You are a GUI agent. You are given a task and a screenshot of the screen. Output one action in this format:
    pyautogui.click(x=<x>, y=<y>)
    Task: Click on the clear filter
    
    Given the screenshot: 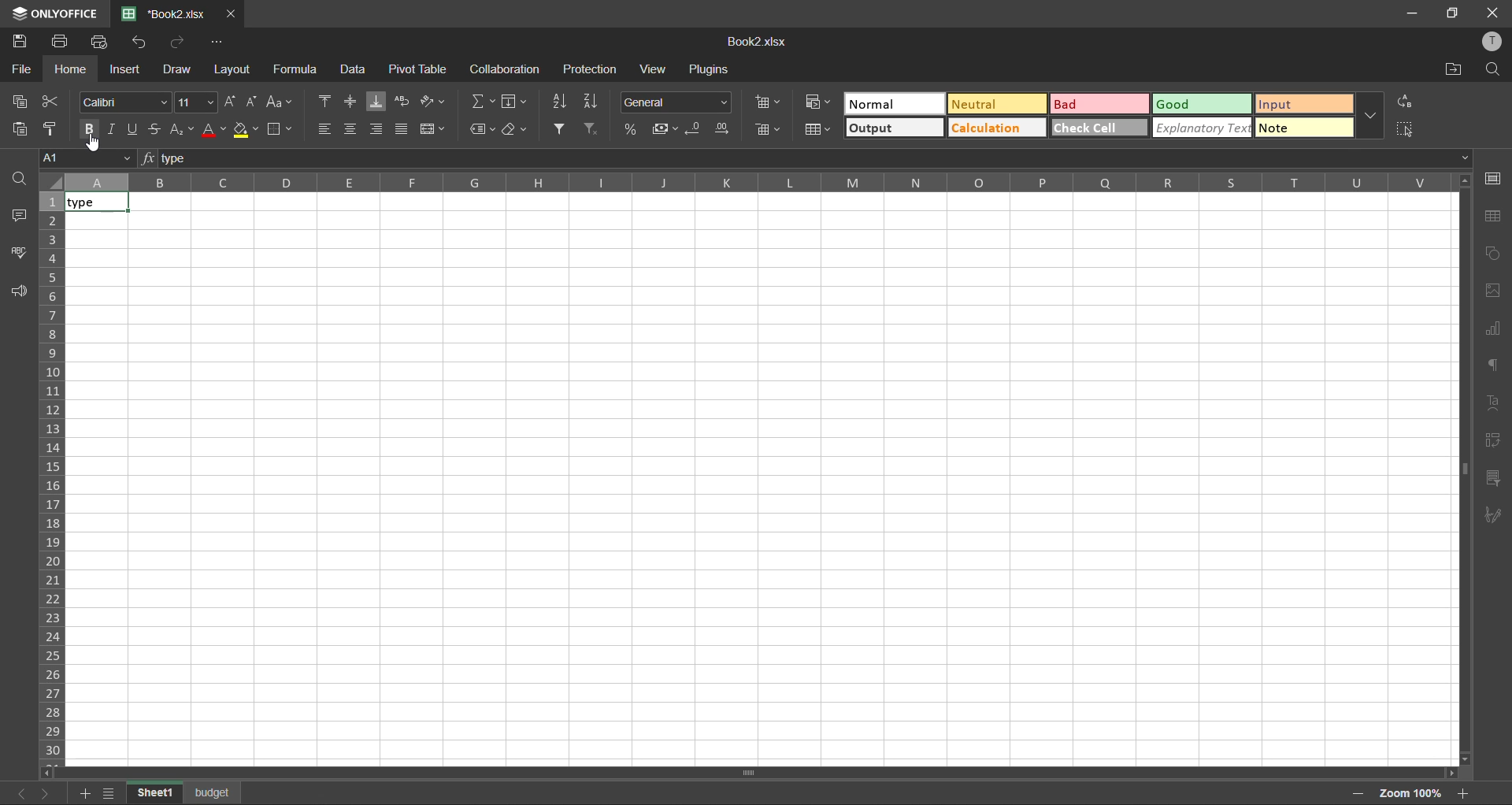 What is the action you would take?
    pyautogui.click(x=591, y=130)
    